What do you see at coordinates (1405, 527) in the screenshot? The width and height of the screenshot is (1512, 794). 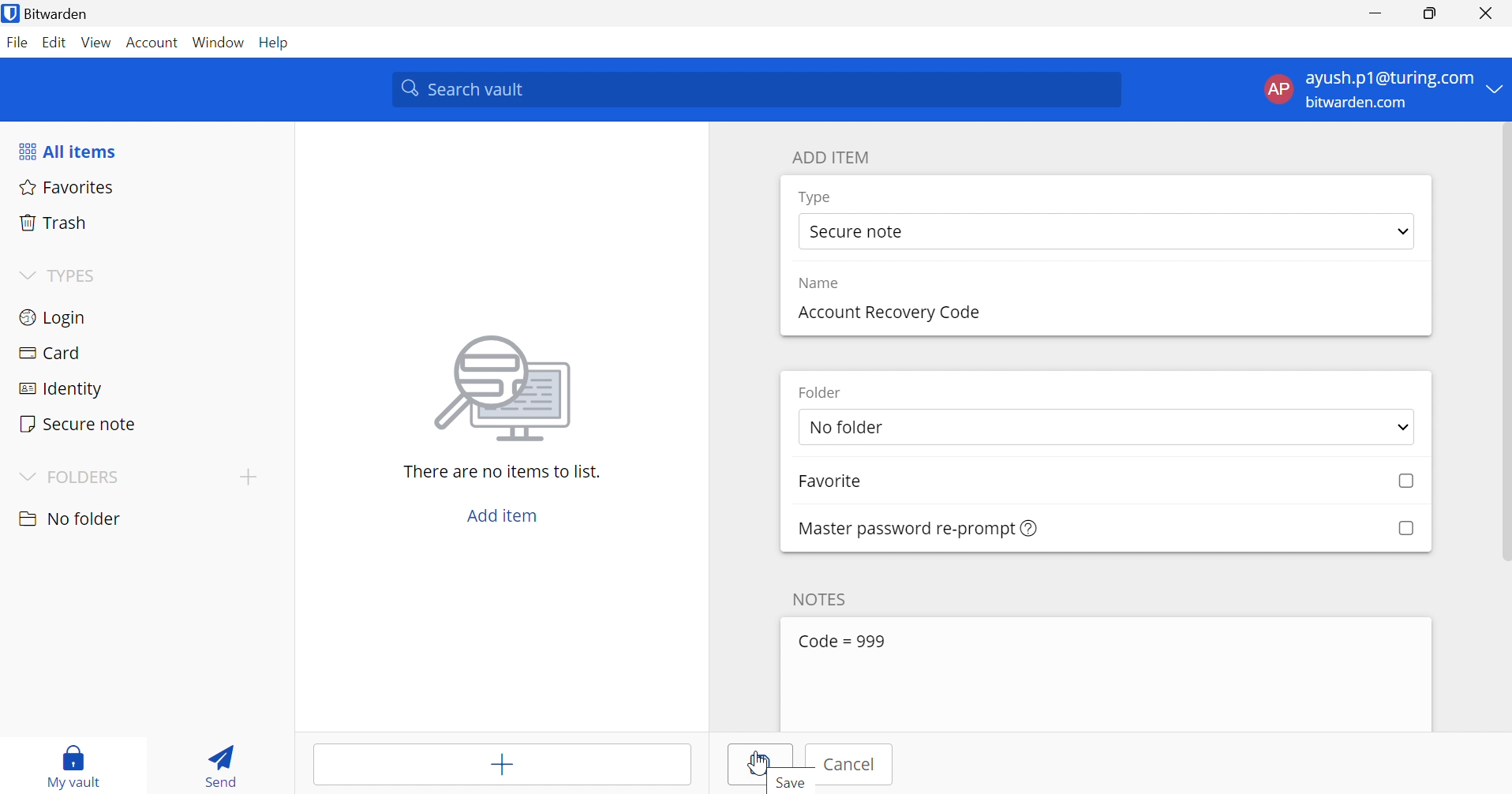 I see `box` at bounding box center [1405, 527].